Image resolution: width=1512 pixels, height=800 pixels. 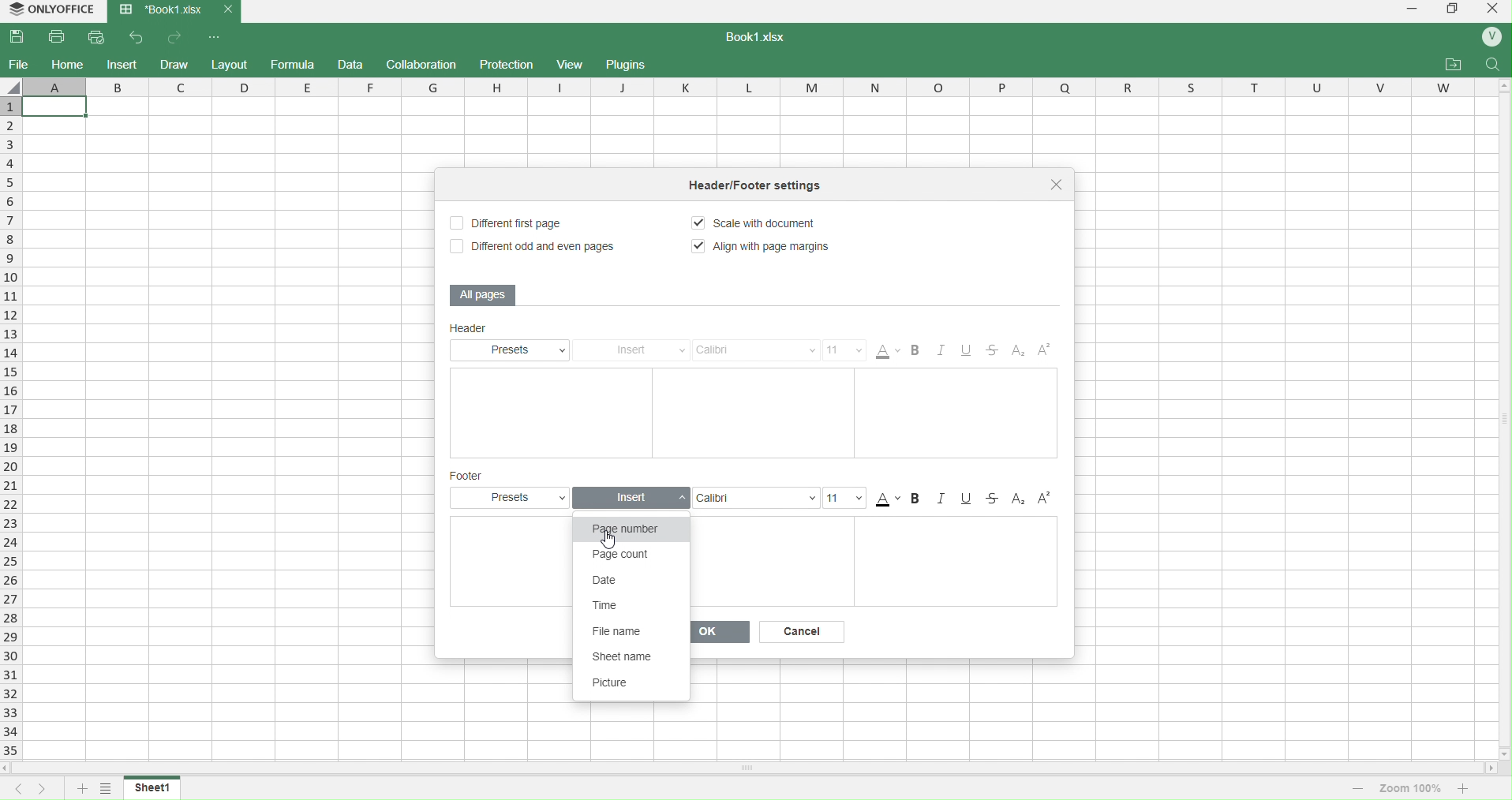 What do you see at coordinates (920, 499) in the screenshot?
I see `Bold` at bounding box center [920, 499].